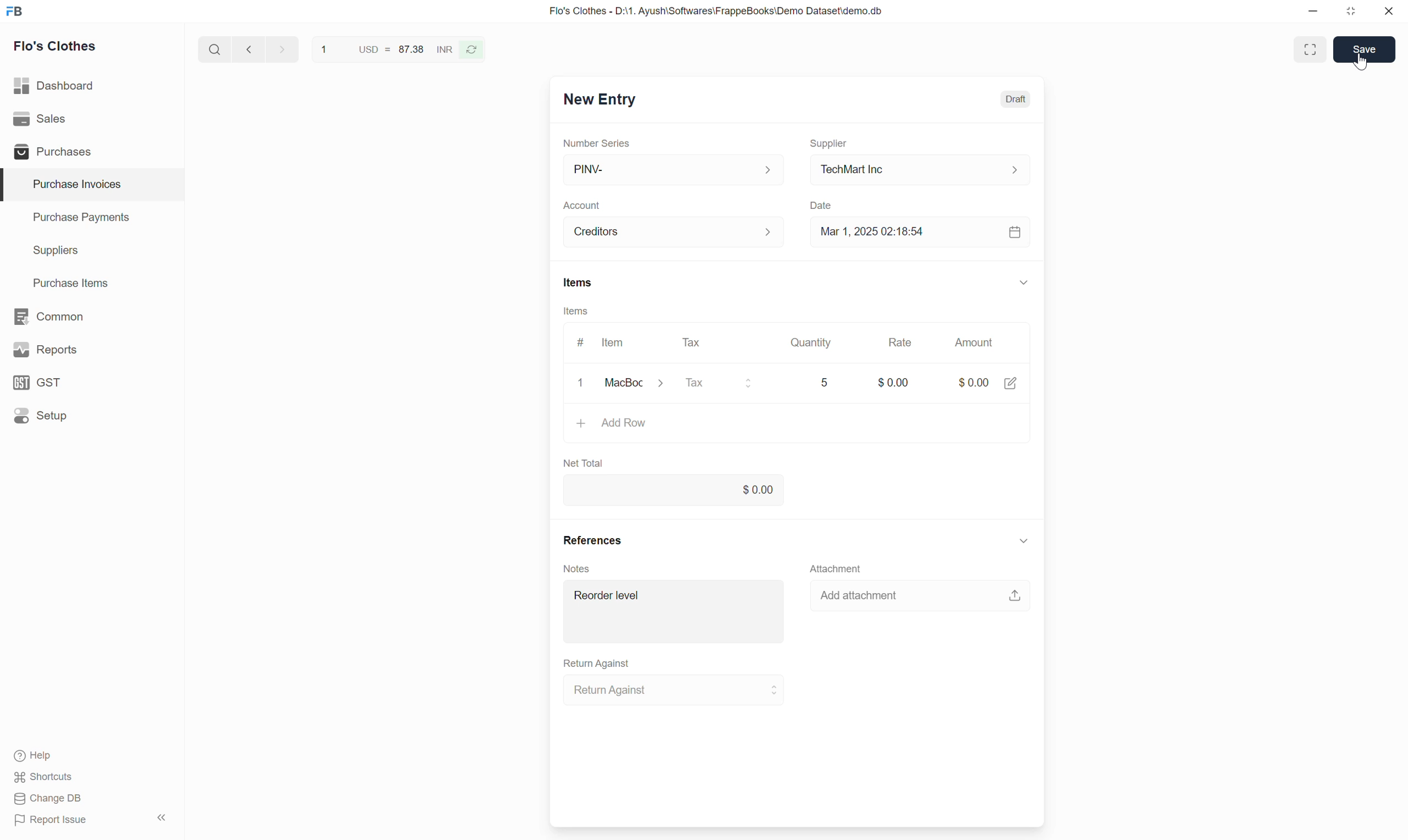 This screenshot has height=840, width=1408. Describe the element at coordinates (284, 49) in the screenshot. I see `next` at that location.